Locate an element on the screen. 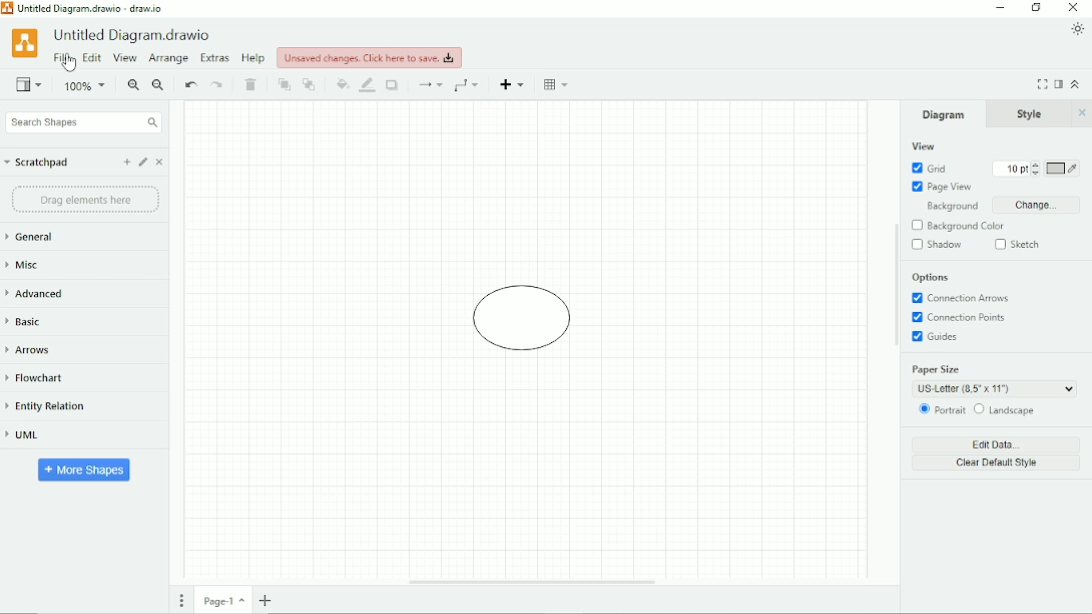 The height and width of the screenshot is (614, 1092). Pages is located at coordinates (182, 602).